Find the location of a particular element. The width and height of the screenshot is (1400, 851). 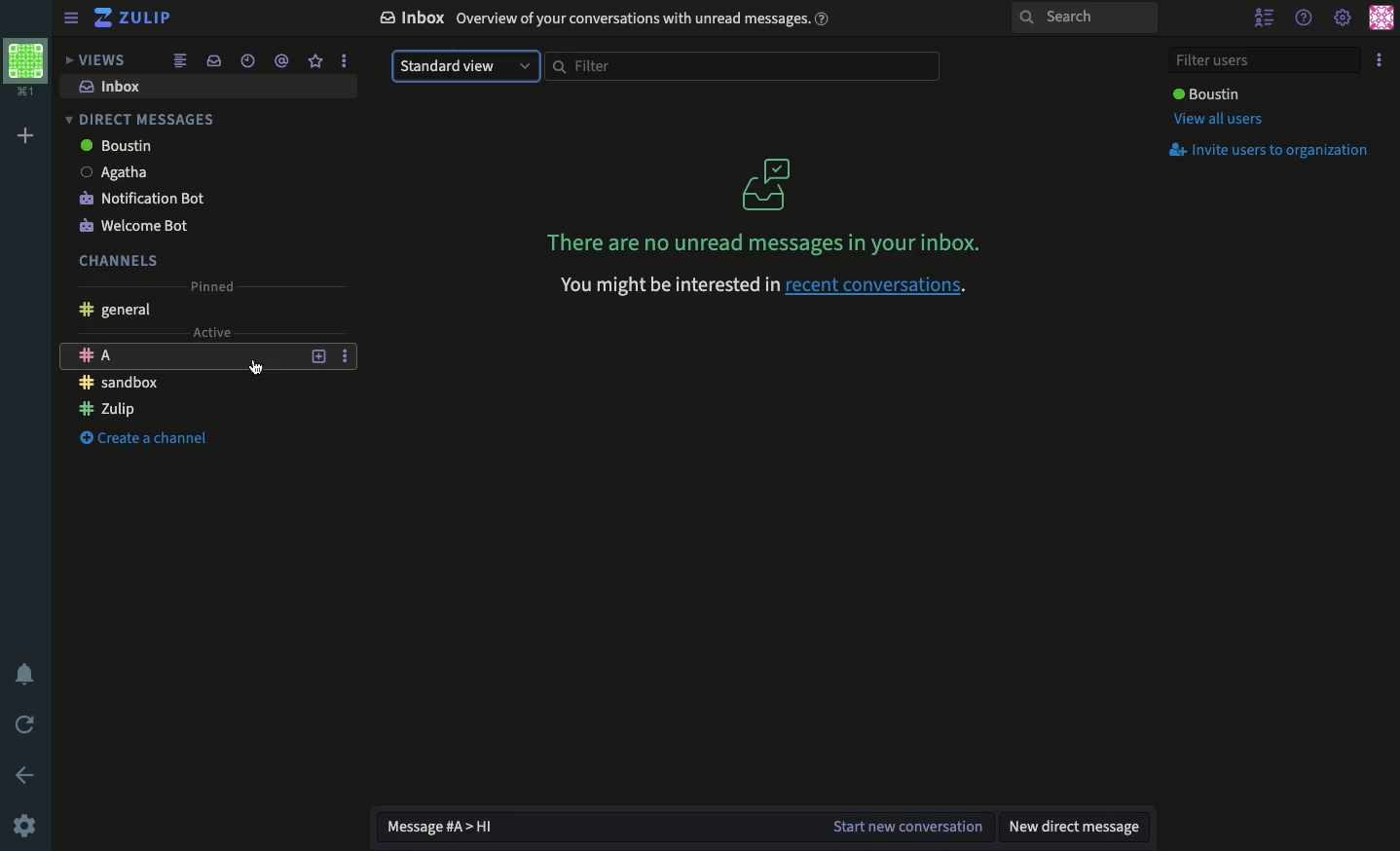

There are no unread messages in your inbox is located at coordinates (764, 208).